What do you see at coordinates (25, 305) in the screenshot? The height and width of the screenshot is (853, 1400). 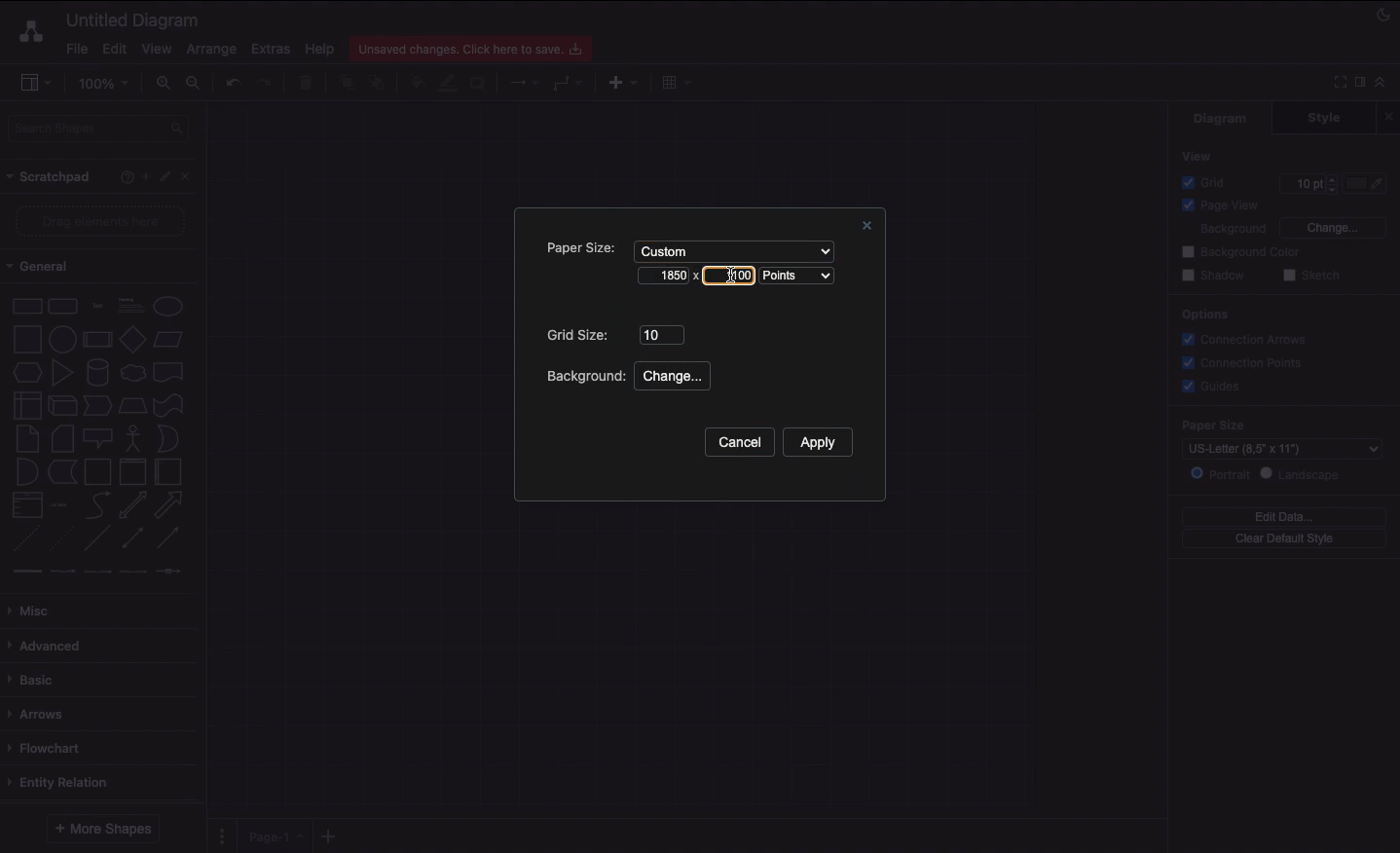 I see `Rectangle` at bounding box center [25, 305].